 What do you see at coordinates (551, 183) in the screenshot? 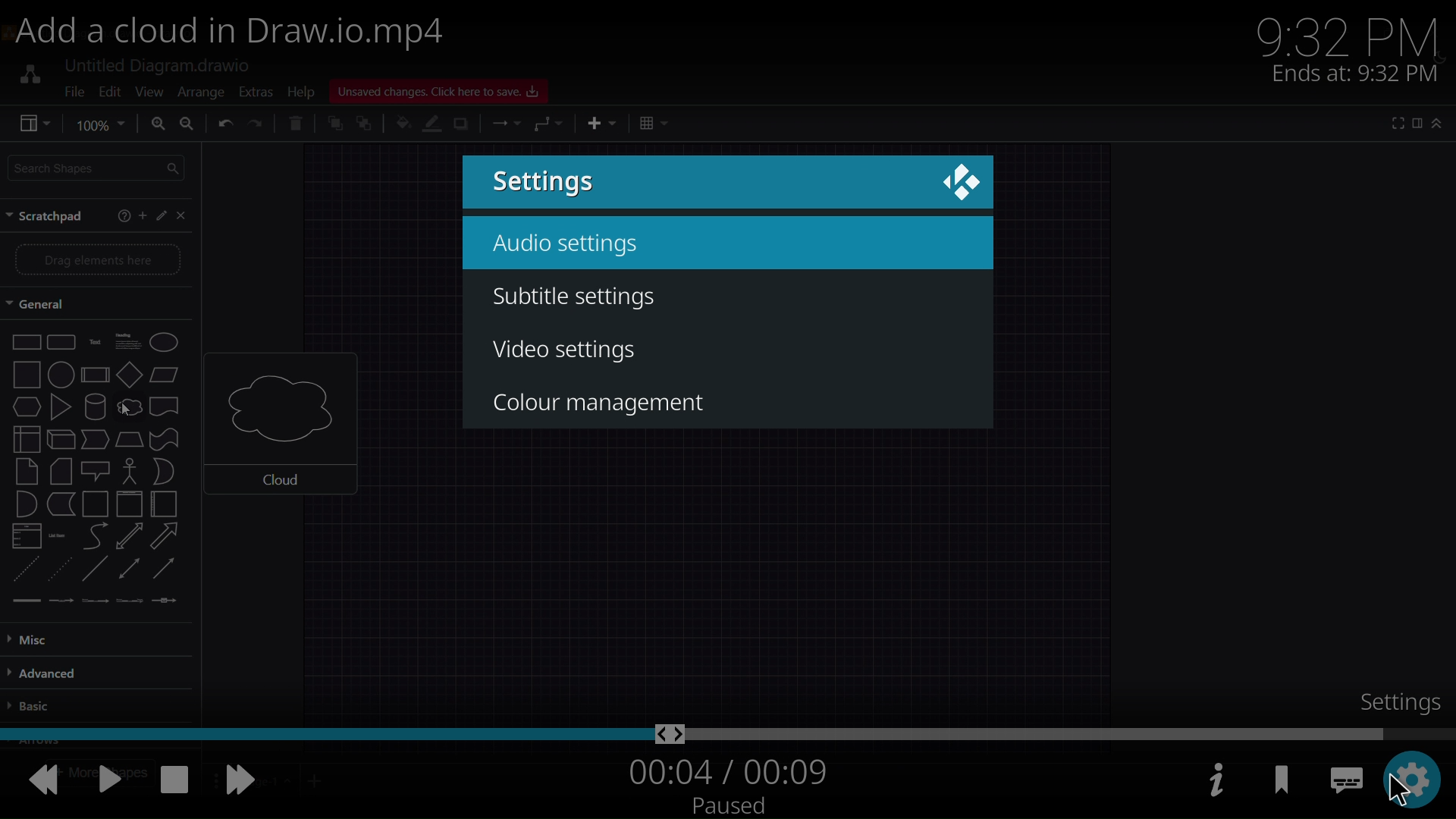
I see `settings` at bounding box center [551, 183].